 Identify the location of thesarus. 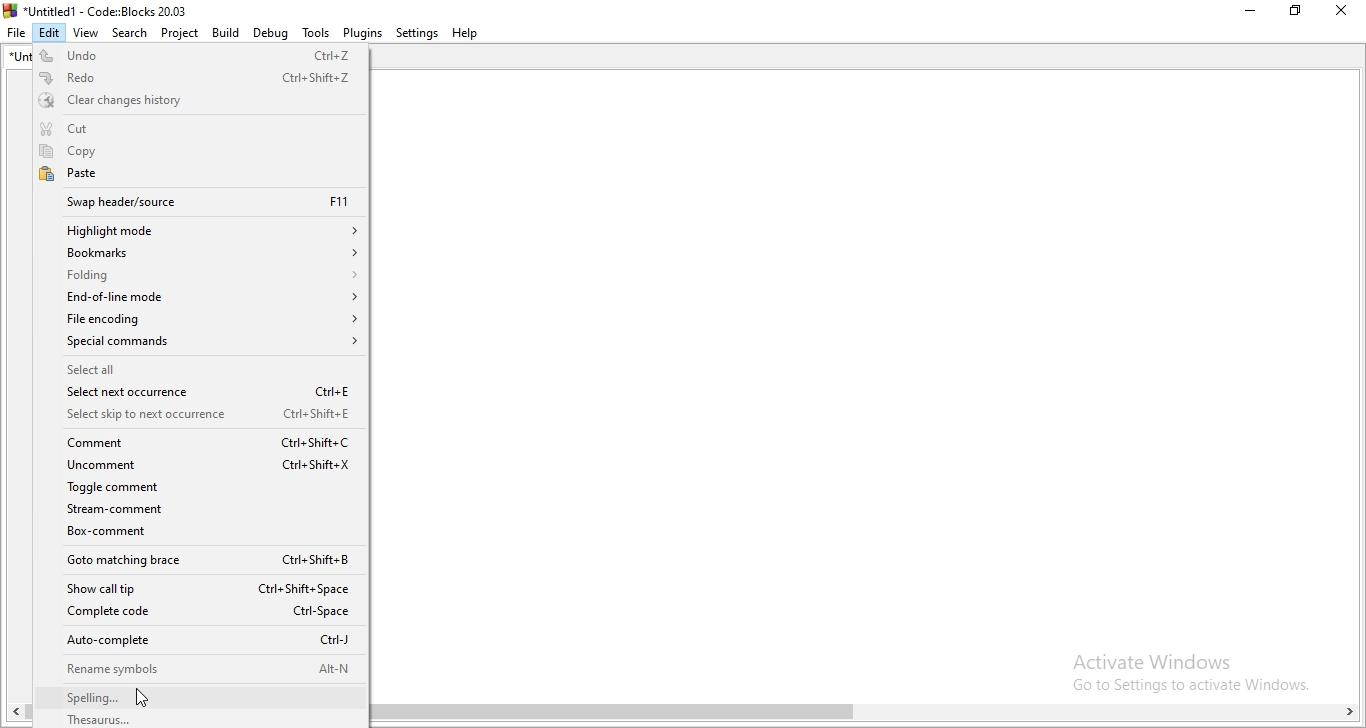
(206, 719).